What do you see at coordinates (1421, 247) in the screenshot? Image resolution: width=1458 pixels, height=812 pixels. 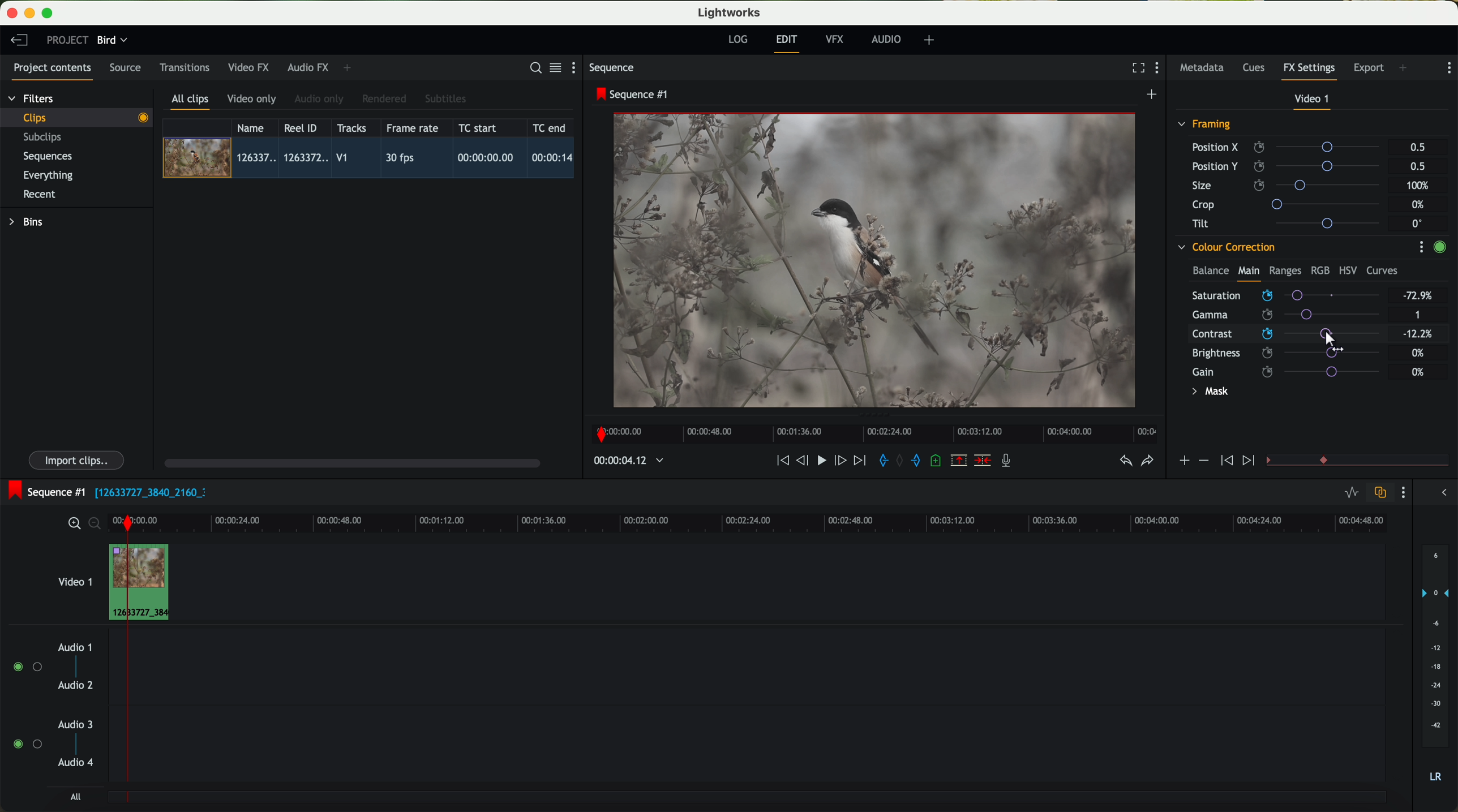 I see `show settings menu` at bounding box center [1421, 247].